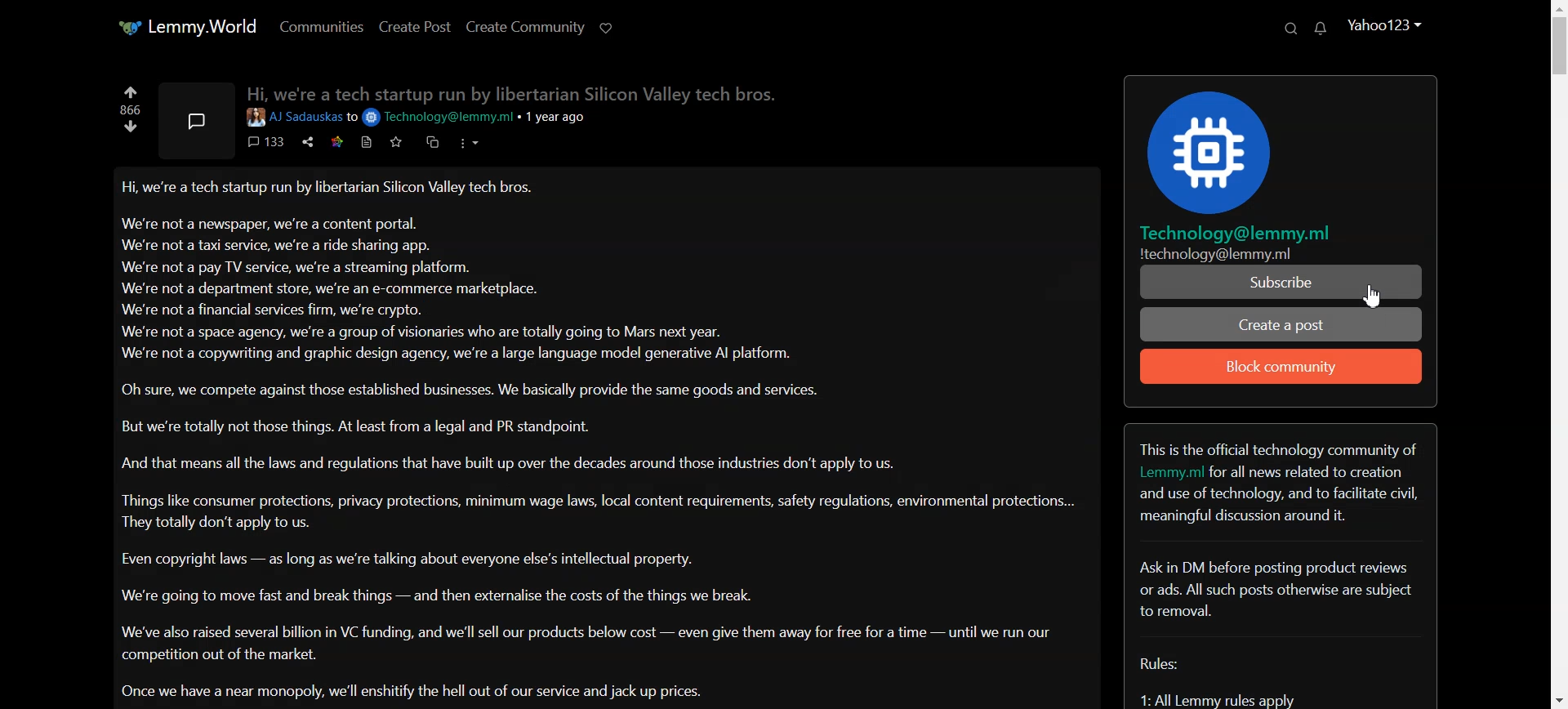 The height and width of the screenshot is (709, 1568). Describe the element at coordinates (365, 118) in the screenshot. I see `to` at that location.